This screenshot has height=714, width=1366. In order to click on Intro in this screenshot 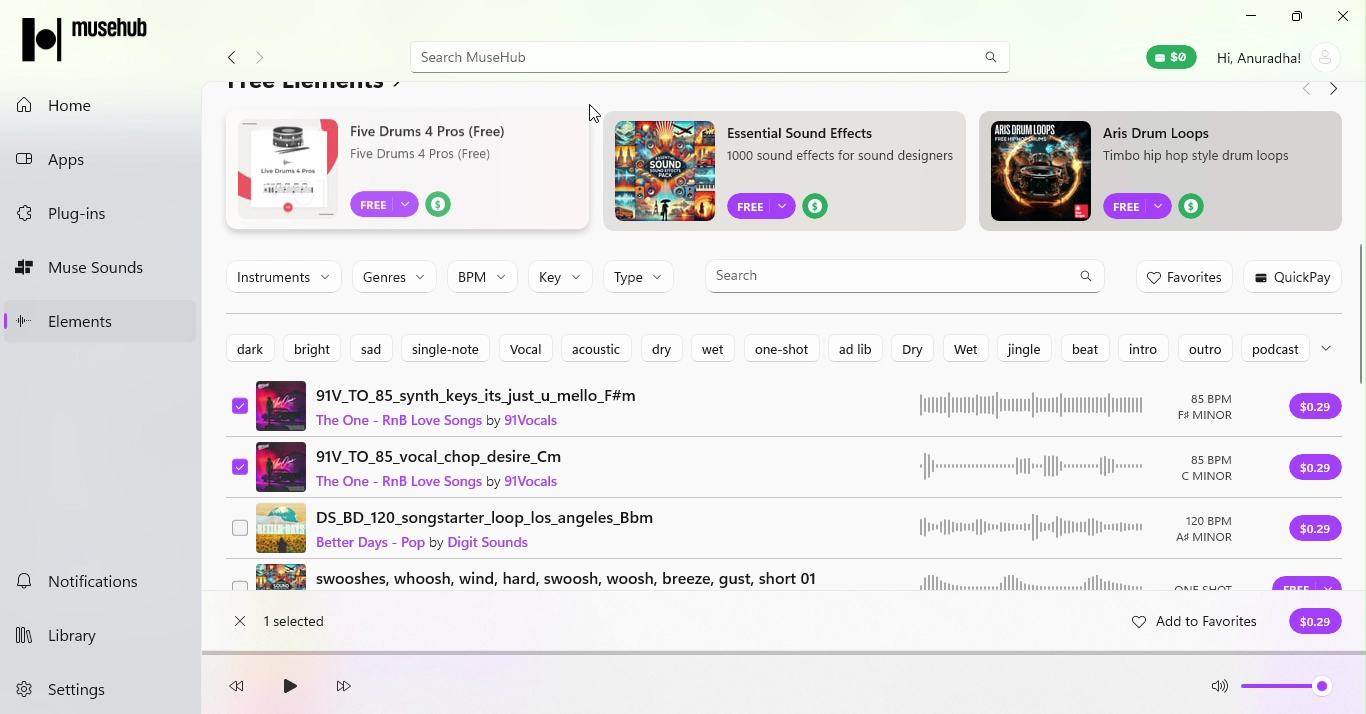, I will do `click(1142, 349)`.